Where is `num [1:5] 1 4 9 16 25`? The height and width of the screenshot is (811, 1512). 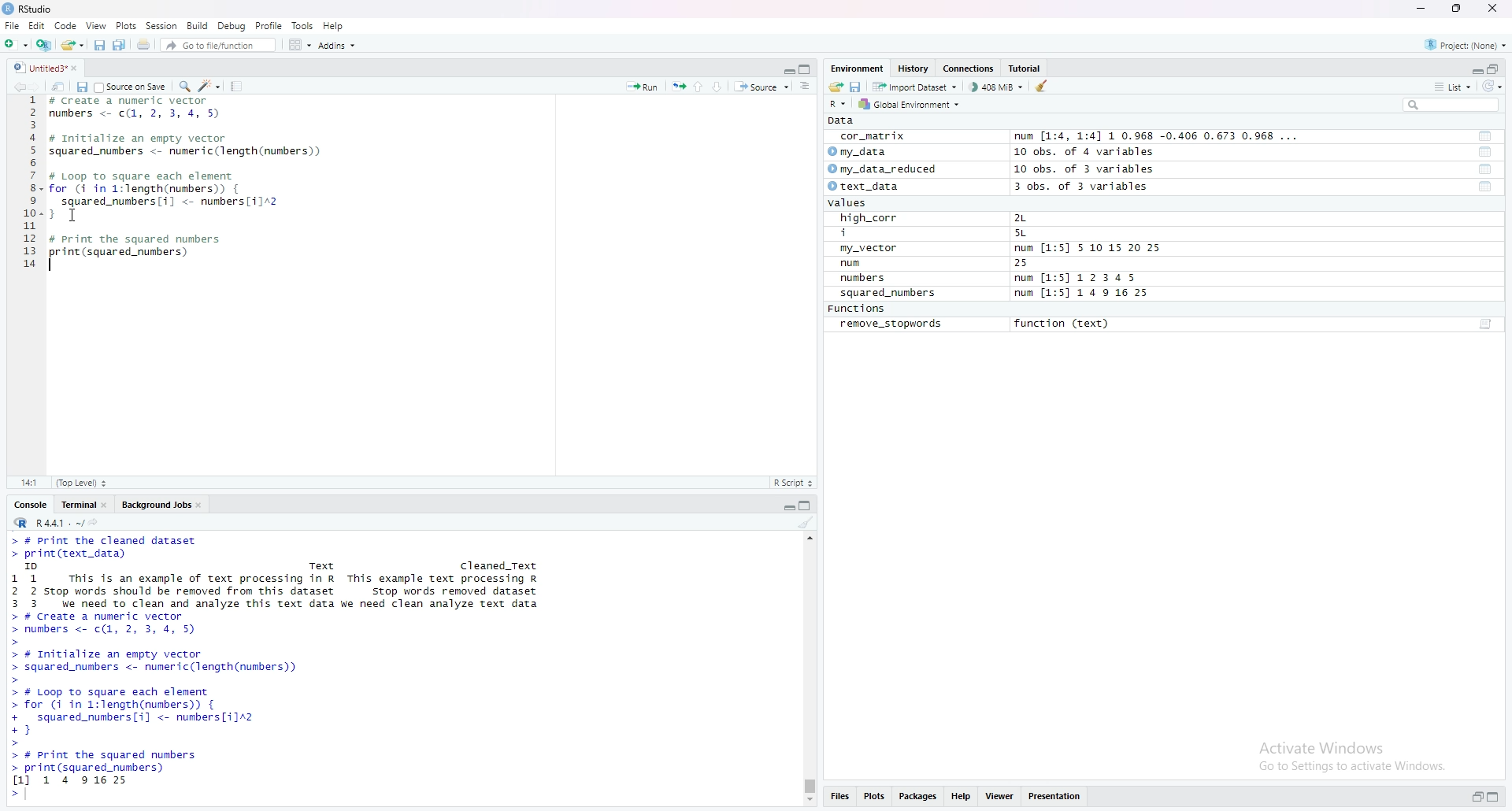
num [1:5] 1 4 9 16 25 is located at coordinates (1083, 294).